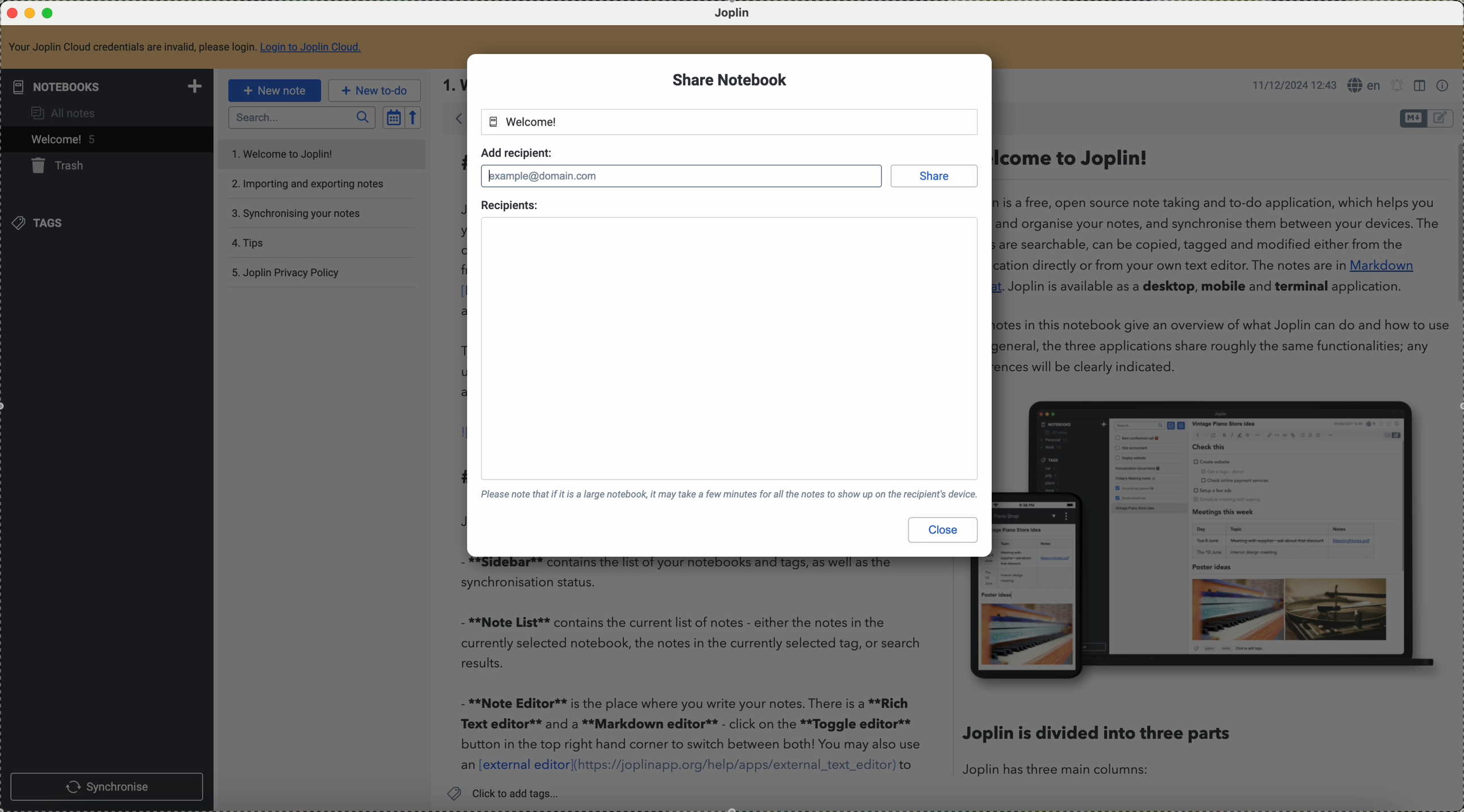 The height and width of the screenshot is (812, 1464). What do you see at coordinates (1292, 85) in the screenshot?
I see `11/12/2024 12:43` at bounding box center [1292, 85].